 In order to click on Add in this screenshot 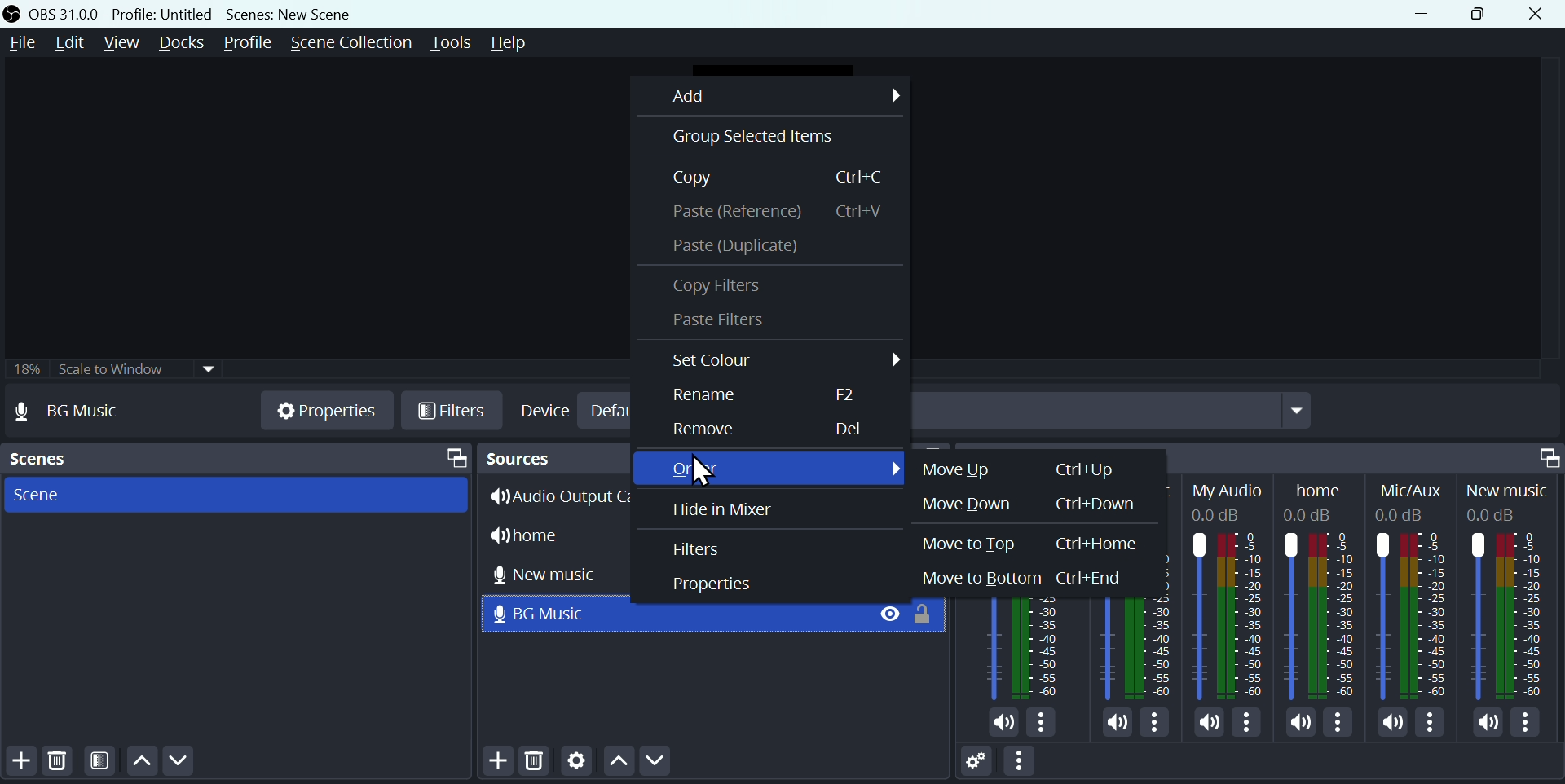, I will do `click(19, 762)`.